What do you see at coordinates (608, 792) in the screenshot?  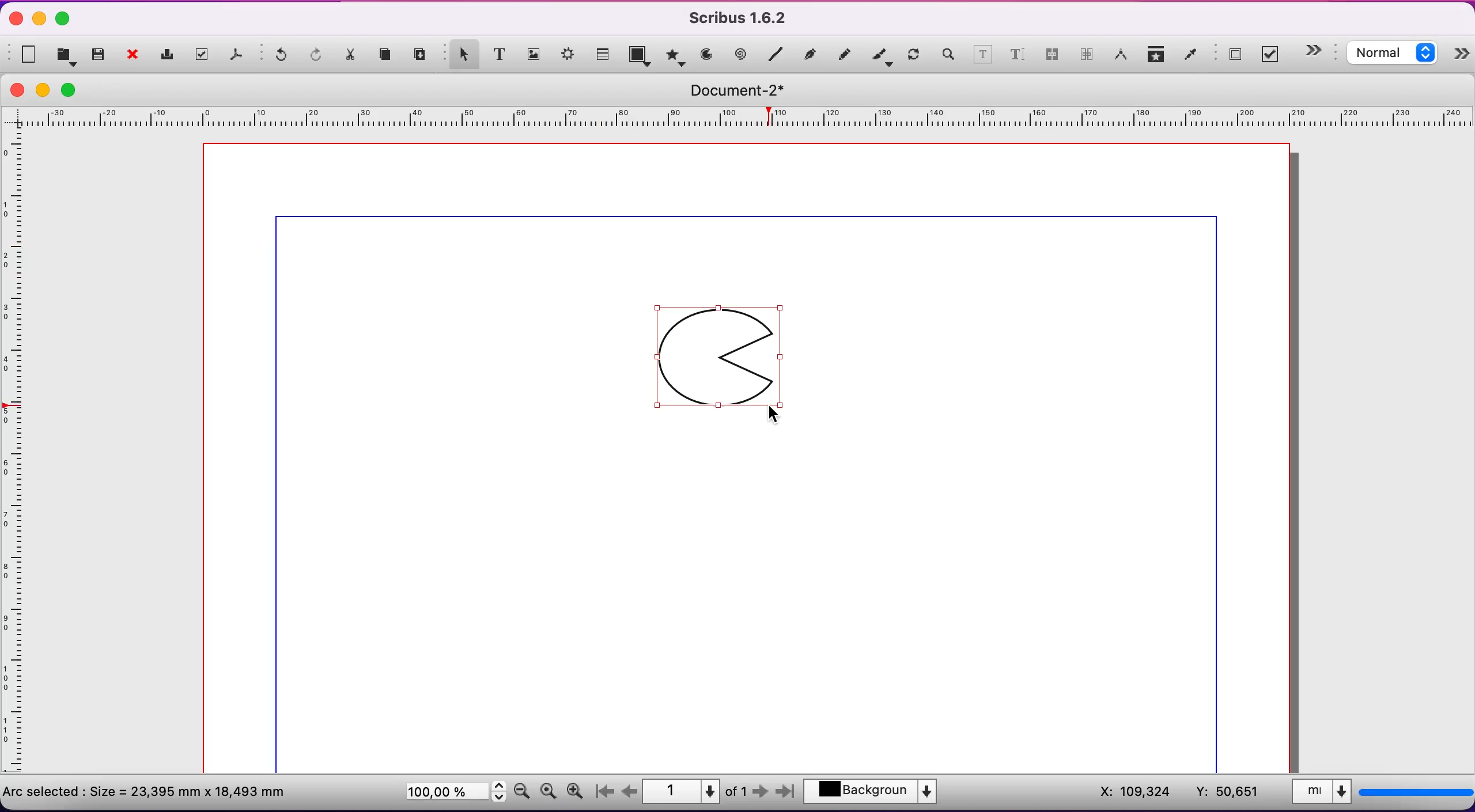 I see `go to the first page` at bounding box center [608, 792].